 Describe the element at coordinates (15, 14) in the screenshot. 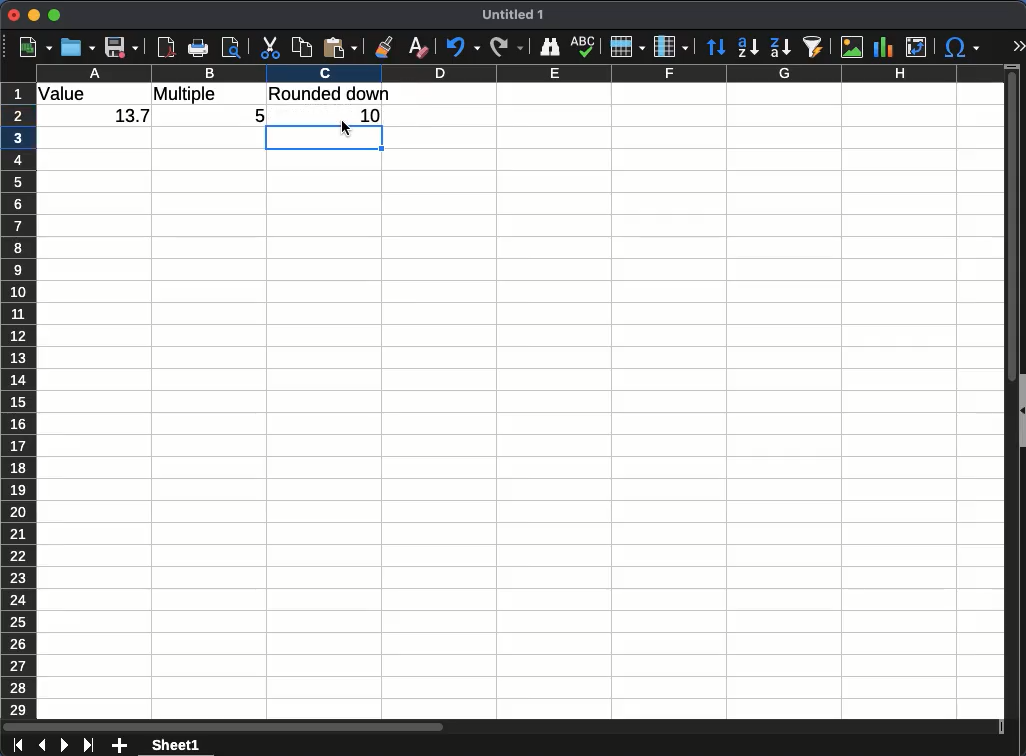

I see `close` at that location.